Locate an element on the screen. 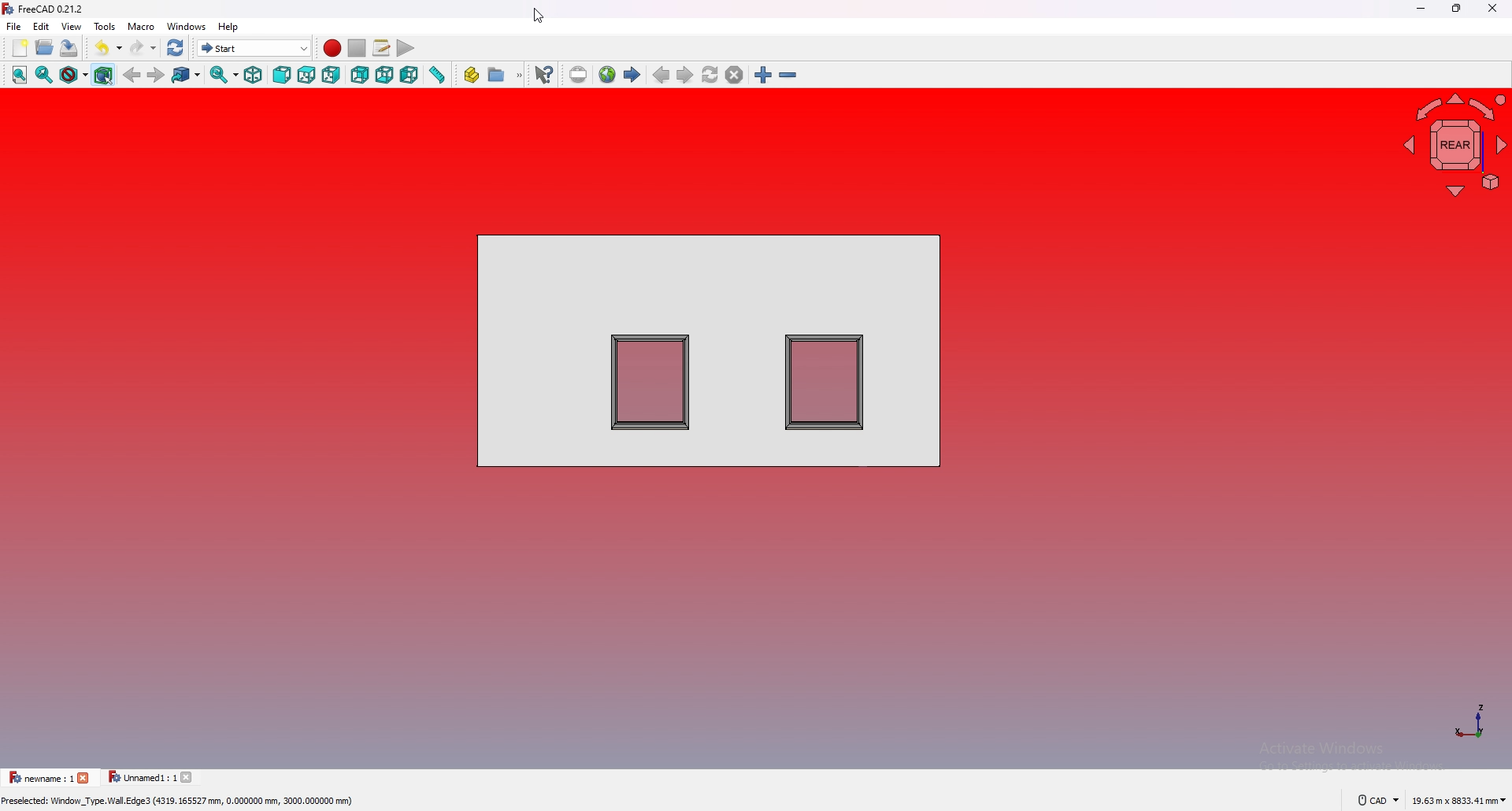  next page is located at coordinates (684, 75).